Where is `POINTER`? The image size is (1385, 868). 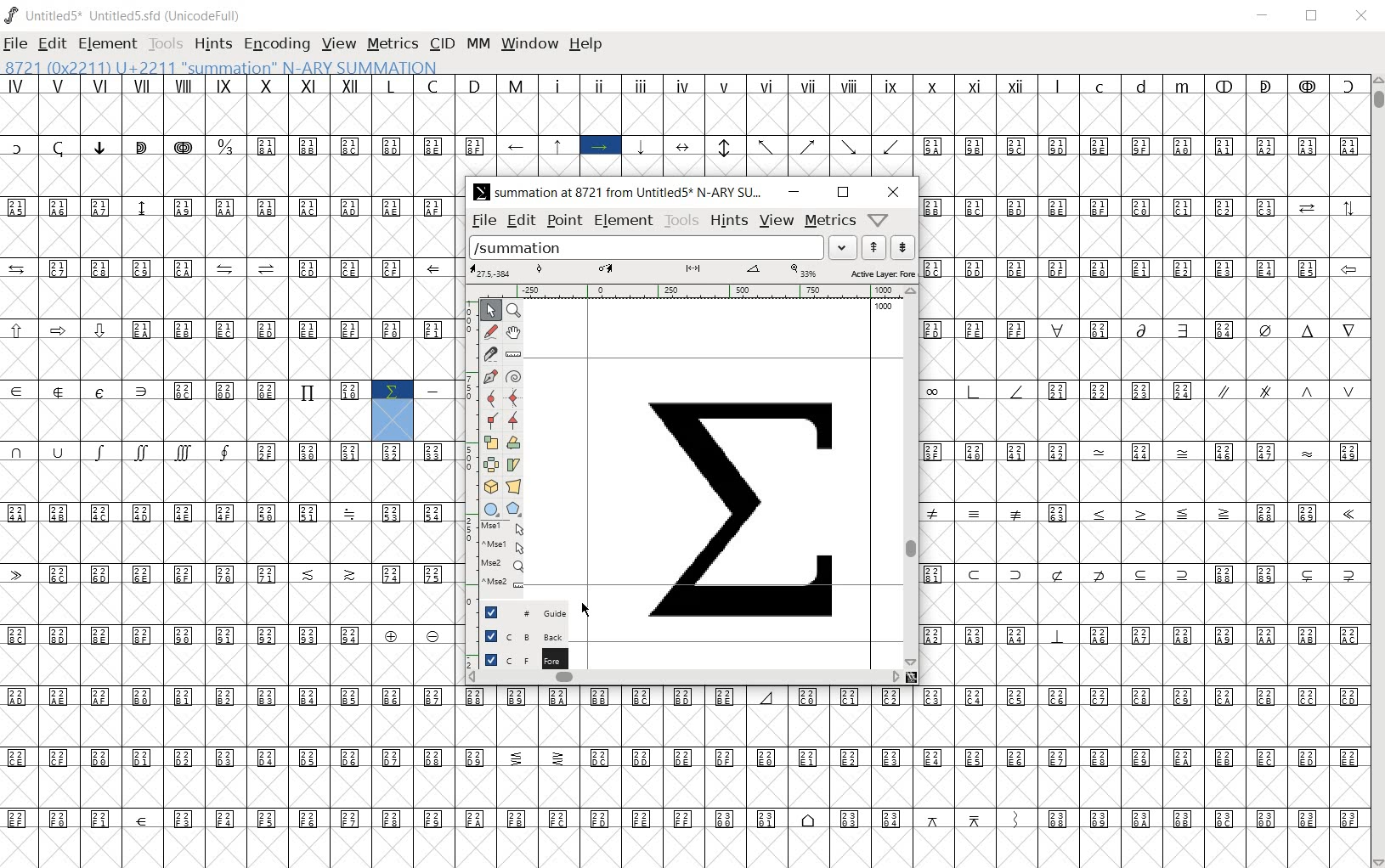
POINTER is located at coordinates (490, 309).